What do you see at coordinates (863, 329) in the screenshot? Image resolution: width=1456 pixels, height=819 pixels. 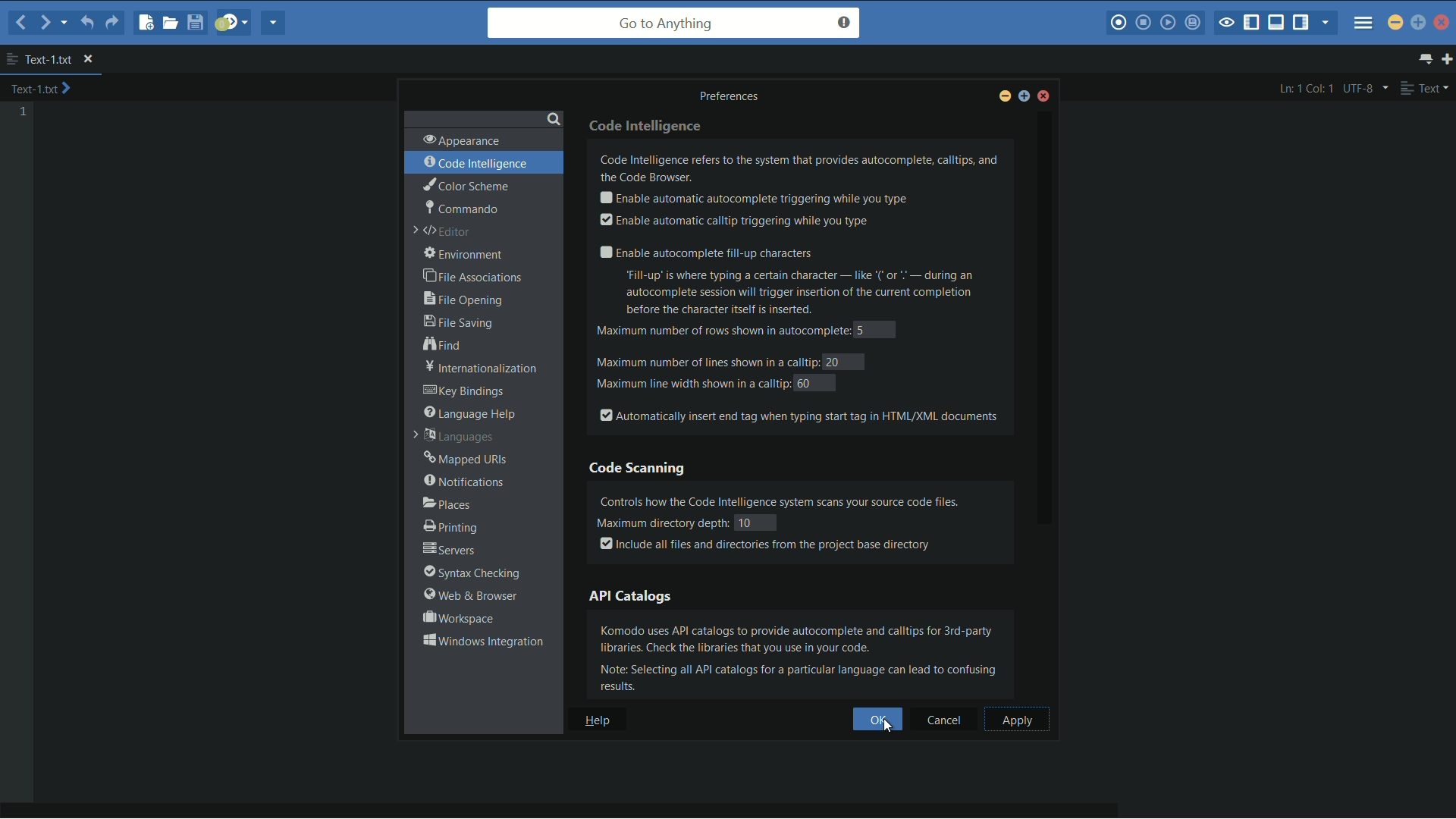 I see `5` at bounding box center [863, 329].